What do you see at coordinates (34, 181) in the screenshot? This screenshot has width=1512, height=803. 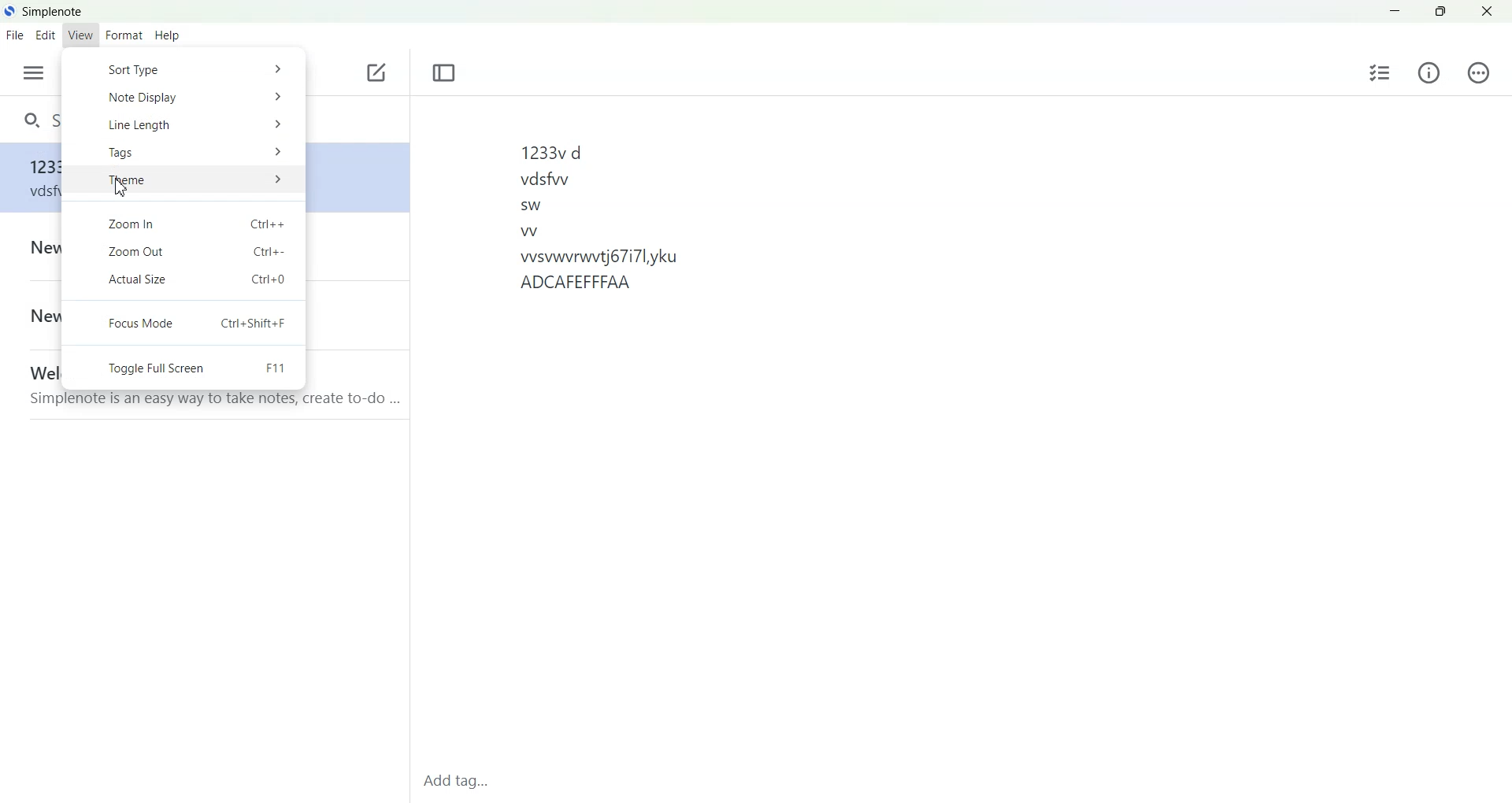 I see `Note file` at bounding box center [34, 181].